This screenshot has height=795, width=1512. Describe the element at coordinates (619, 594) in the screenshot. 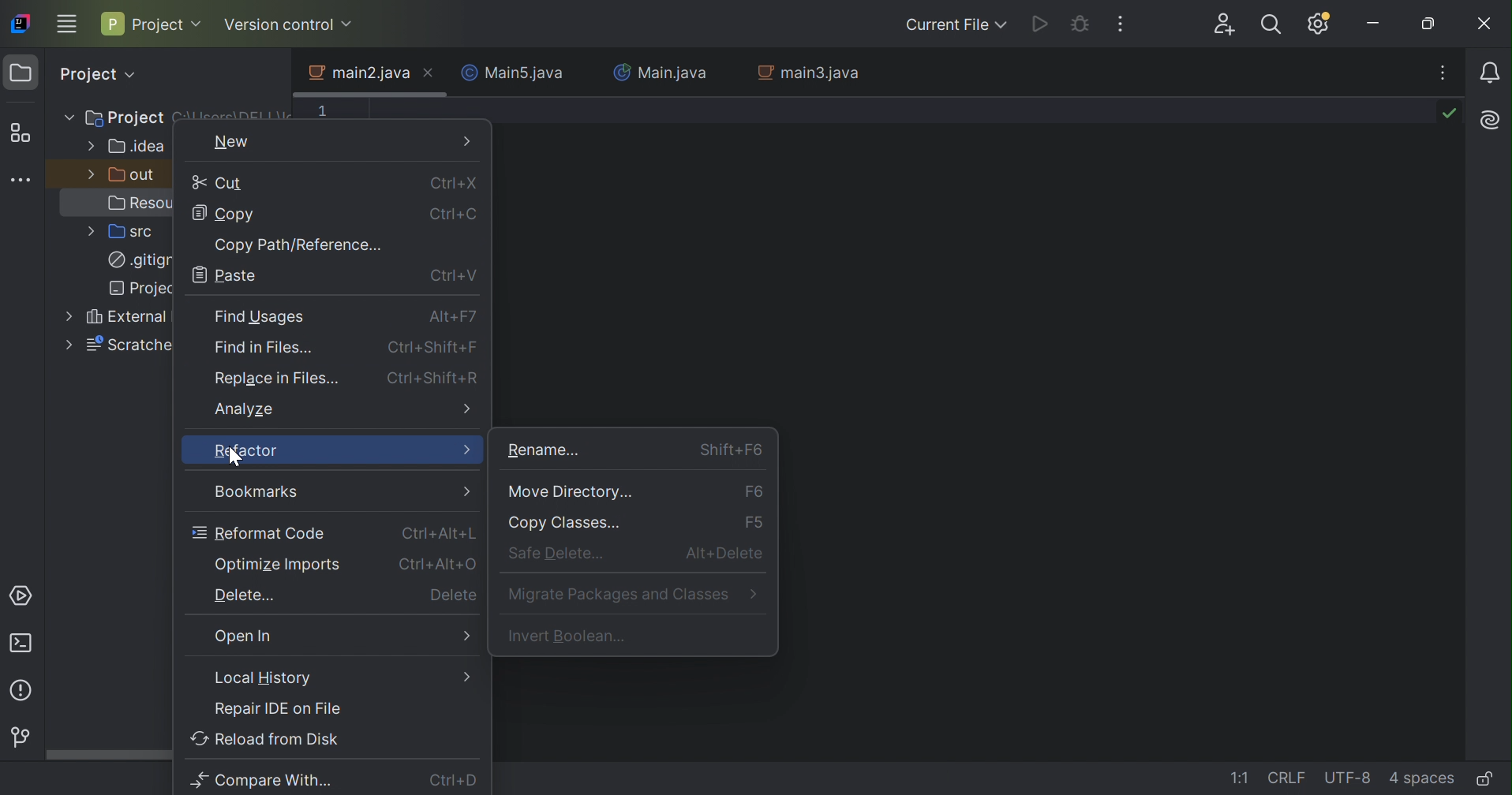

I see `Migrate packages and Classes` at that location.